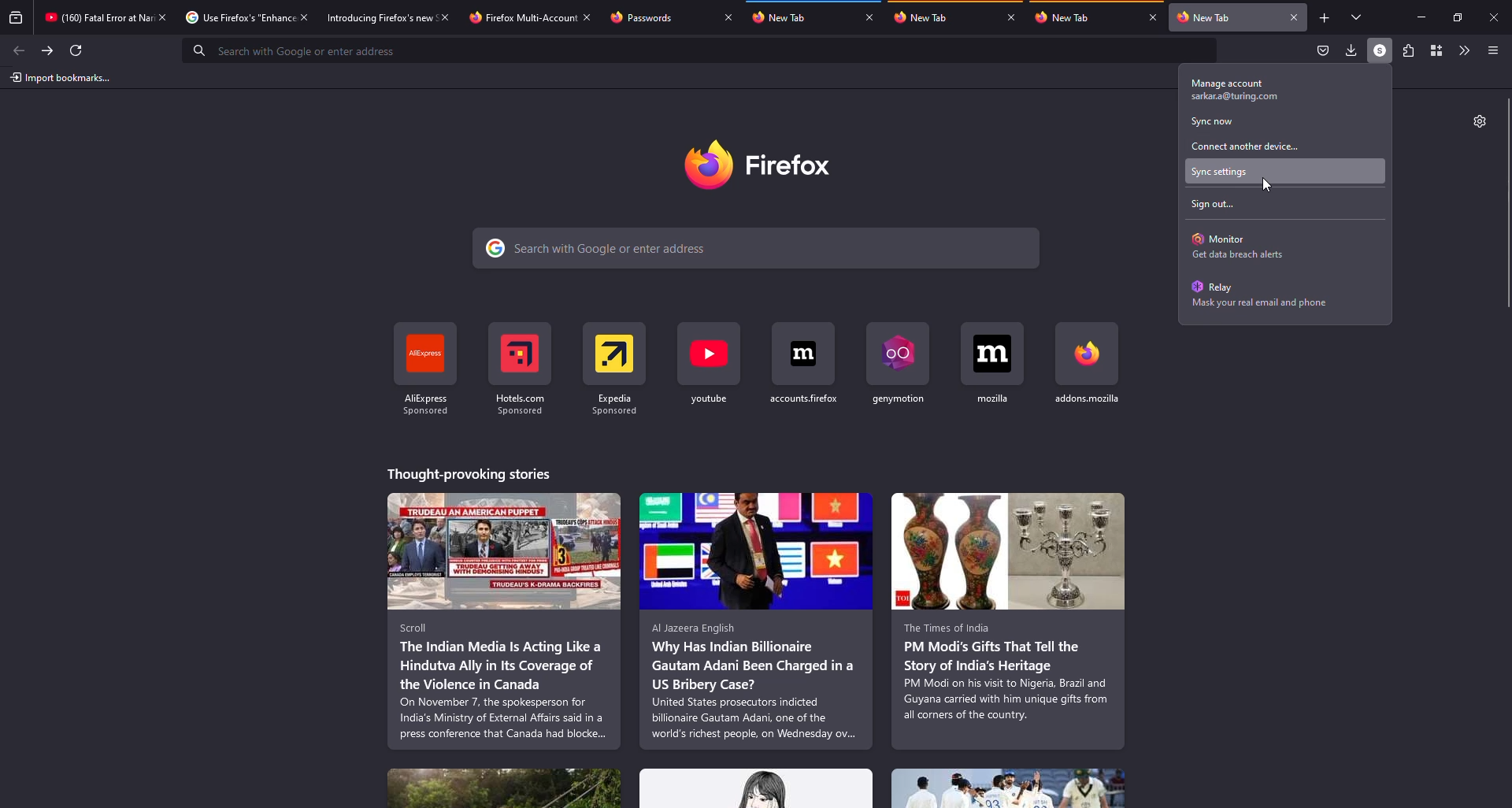 This screenshot has width=1512, height=808. I want to click on menu, so click(1494, 50).